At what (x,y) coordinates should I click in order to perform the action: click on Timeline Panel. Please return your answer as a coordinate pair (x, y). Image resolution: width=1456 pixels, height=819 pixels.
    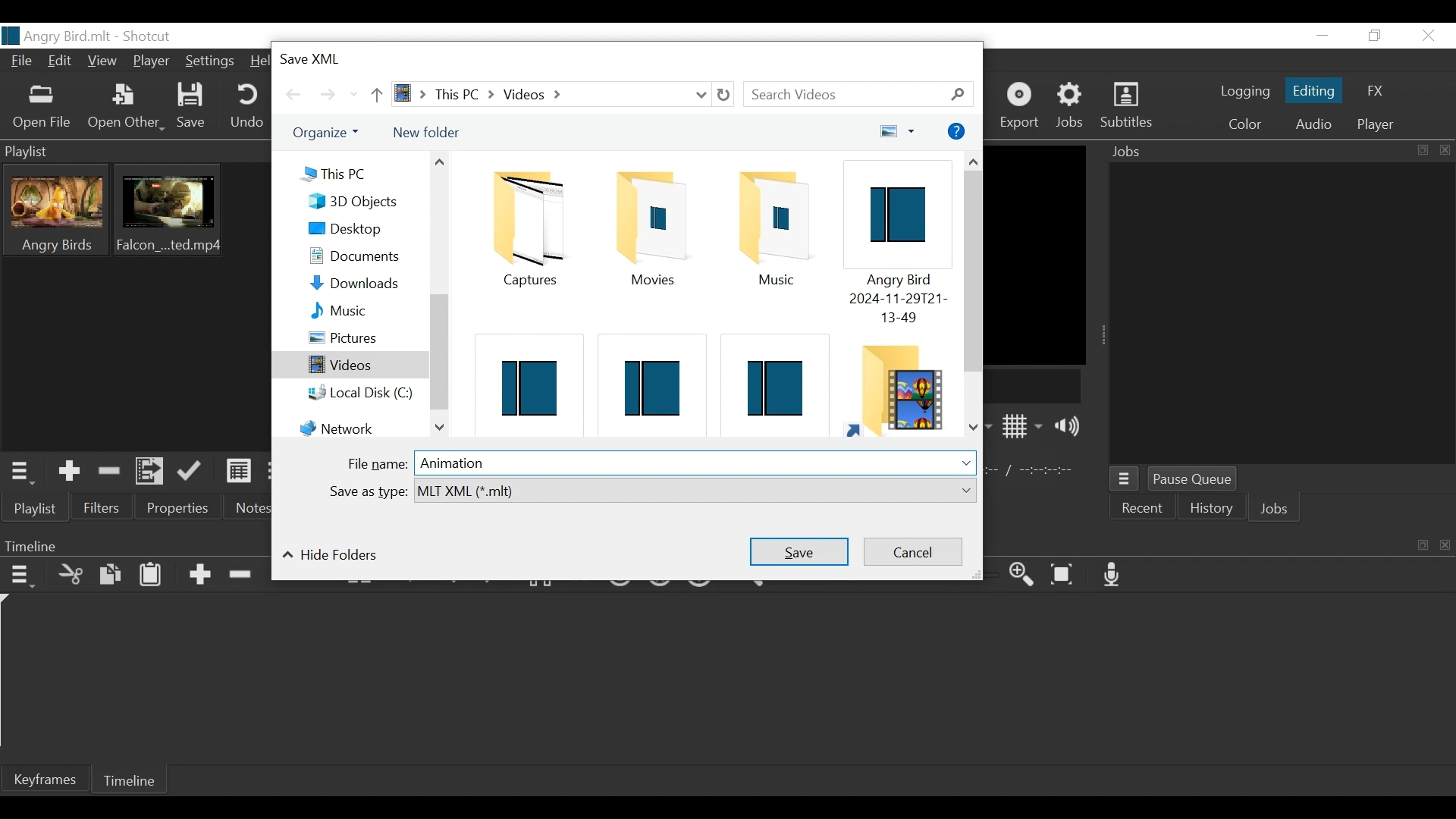
    Looking at the image, I should click on (133, 544).